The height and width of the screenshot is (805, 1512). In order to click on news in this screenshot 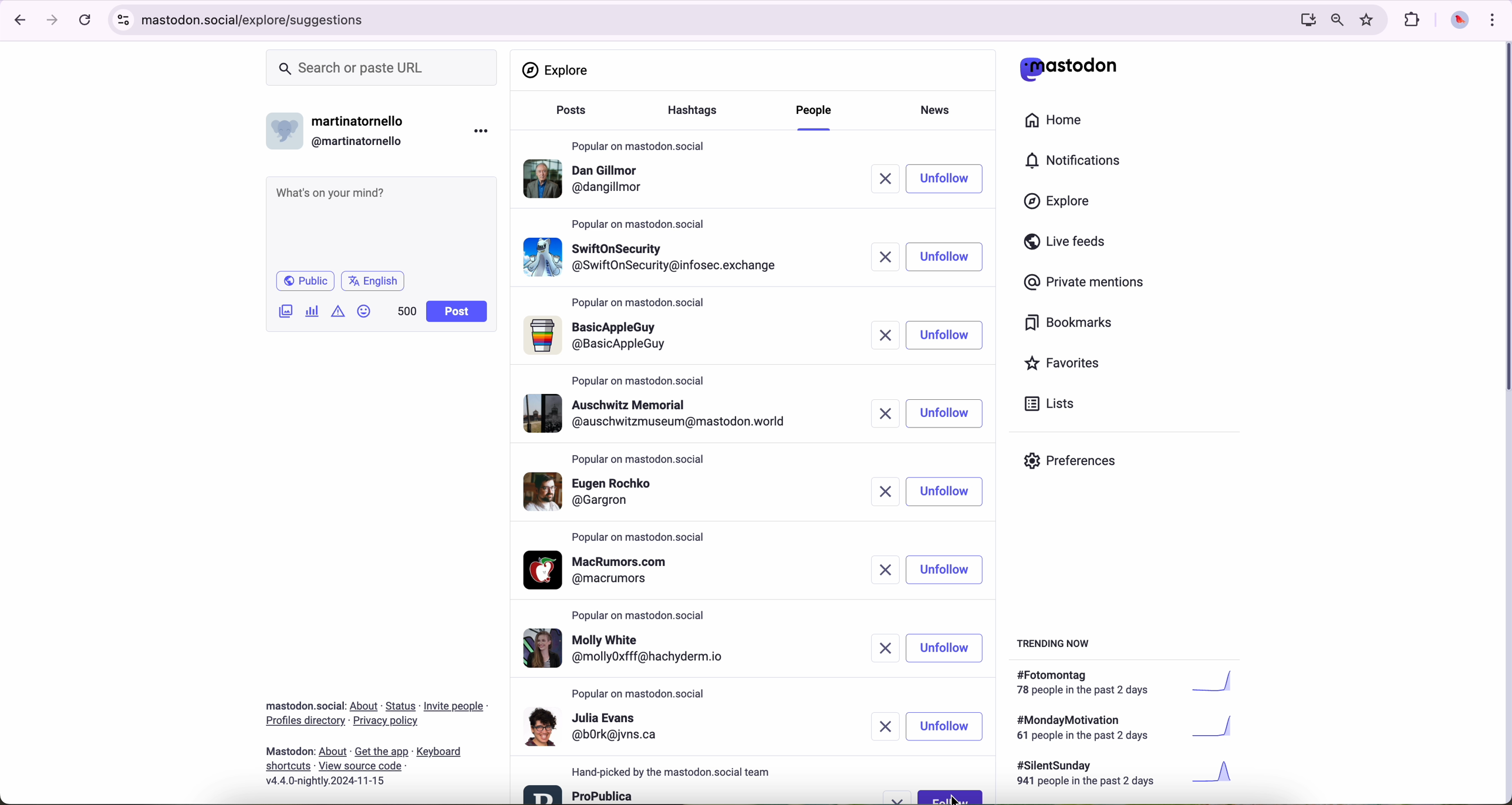, I will do `click(939, 109)`.